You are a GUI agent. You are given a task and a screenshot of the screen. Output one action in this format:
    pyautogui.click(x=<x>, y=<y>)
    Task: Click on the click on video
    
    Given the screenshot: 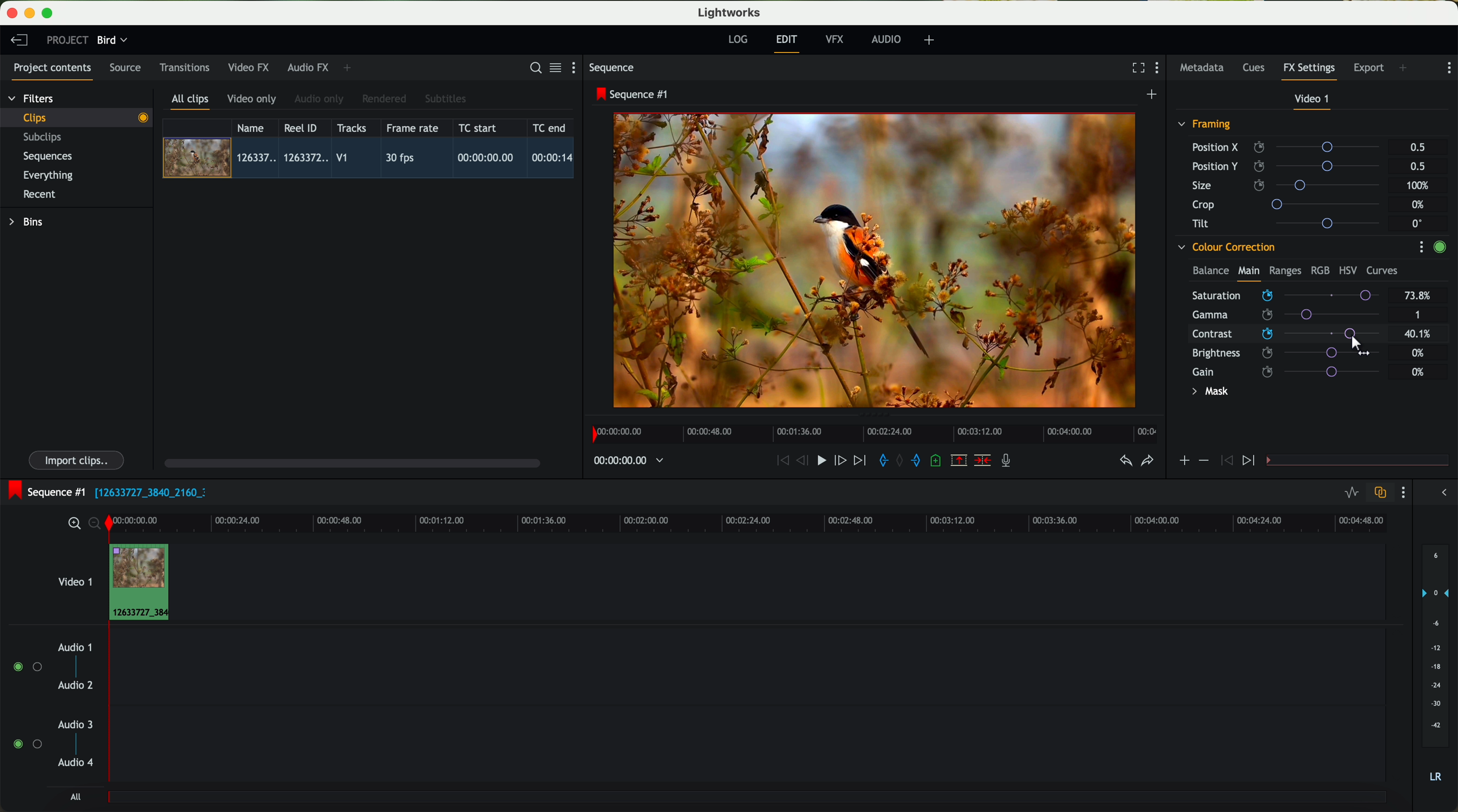 What is the action you would take?
    pyautogui.click(x=372, y=160)
    